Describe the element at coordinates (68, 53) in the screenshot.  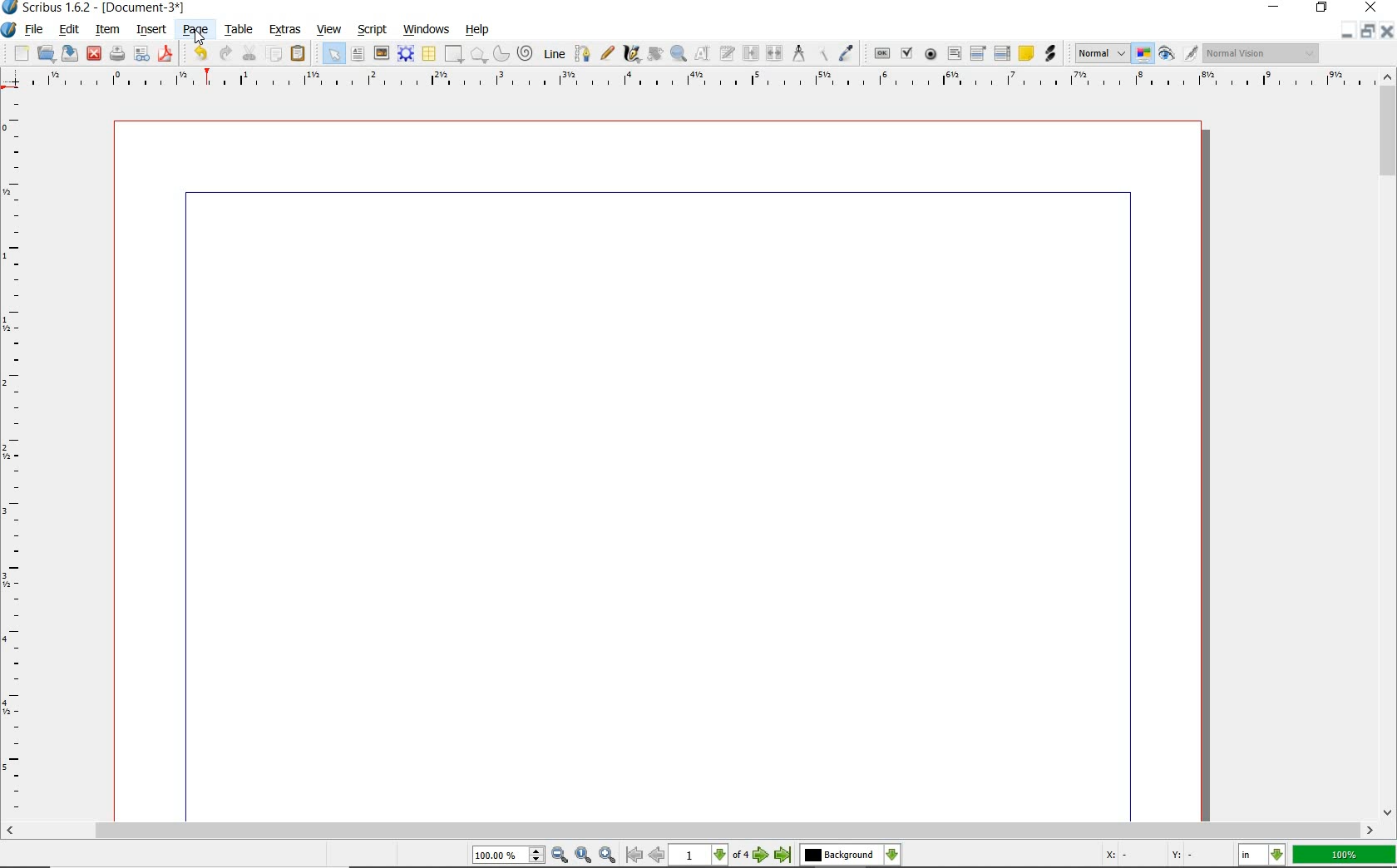
I see `save` at that location.